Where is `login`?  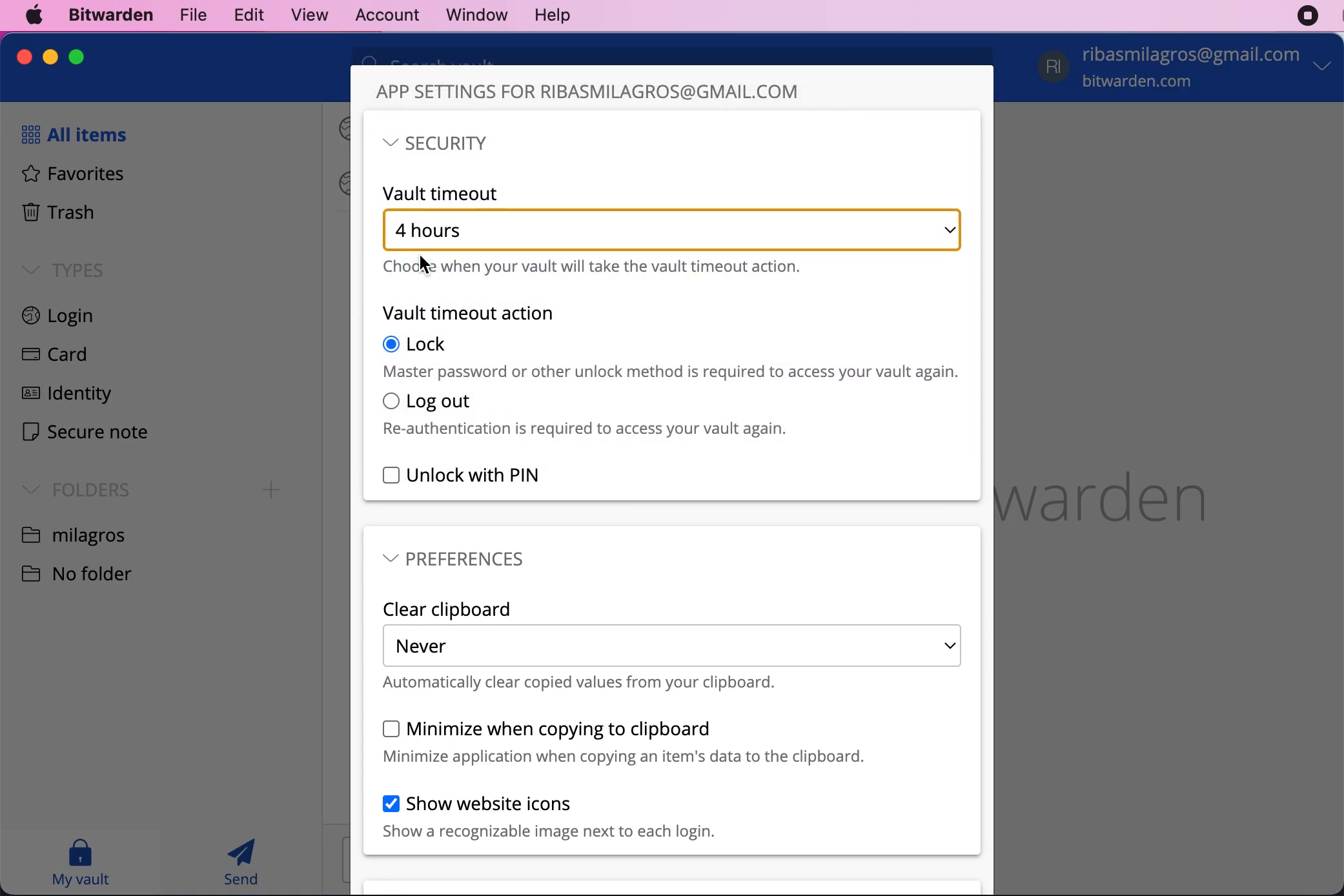
login is located at coordinates (74, 318).